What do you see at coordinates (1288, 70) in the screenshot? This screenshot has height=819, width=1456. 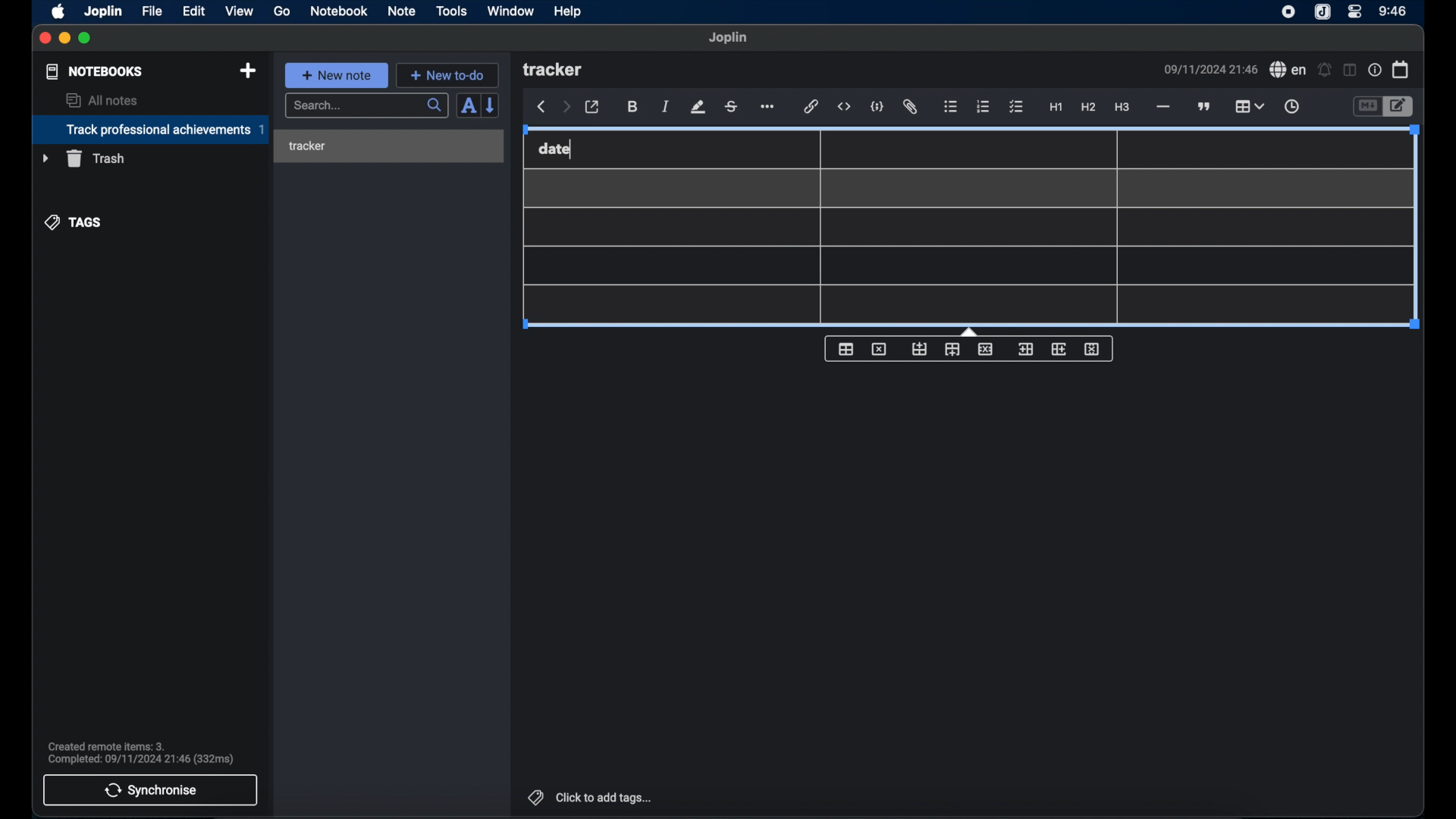 I see `spell check` at bounding box center [1288, 70].